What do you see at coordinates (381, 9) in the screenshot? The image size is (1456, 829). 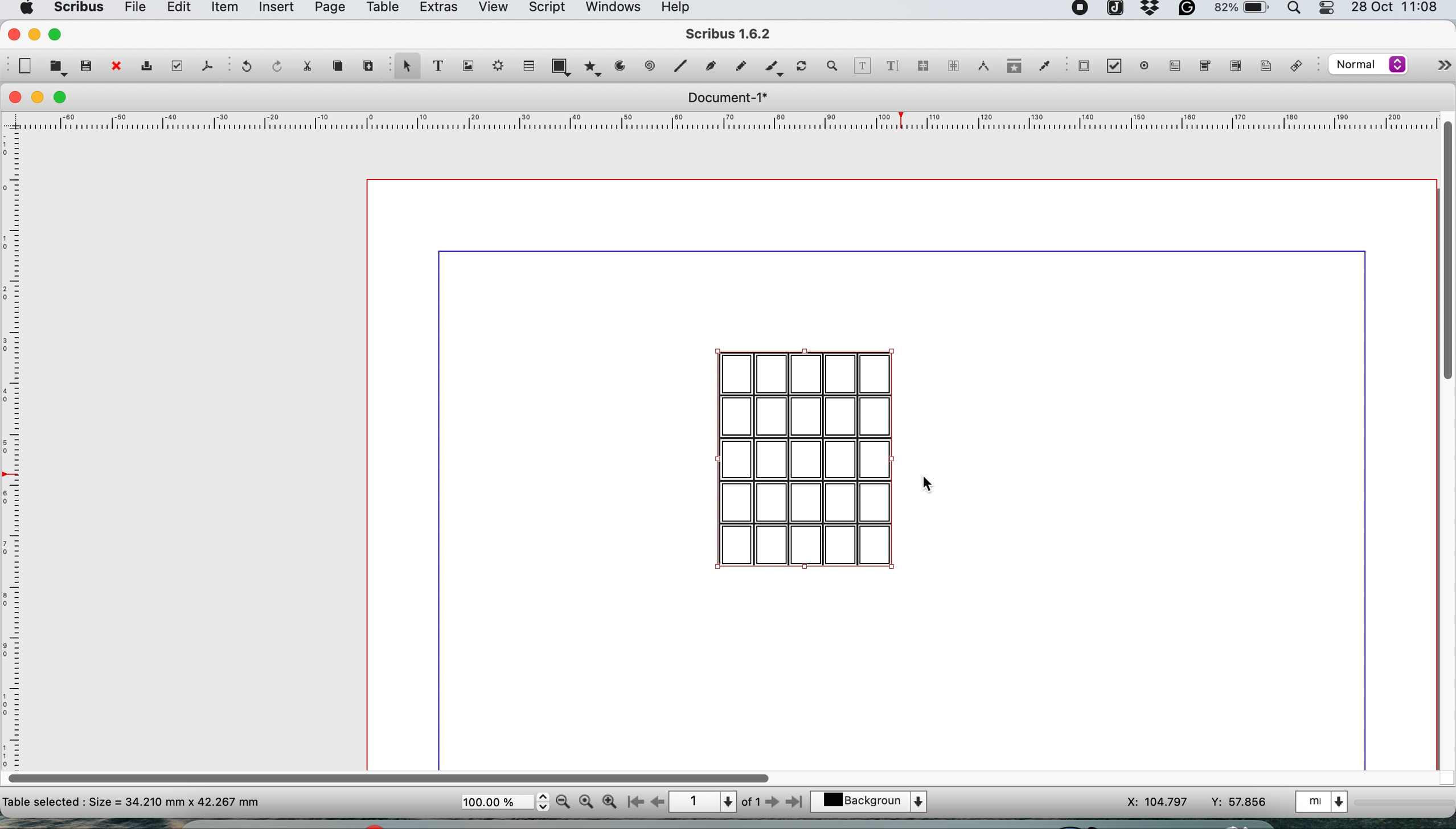 I see `table` at bounding box center [381, 9].